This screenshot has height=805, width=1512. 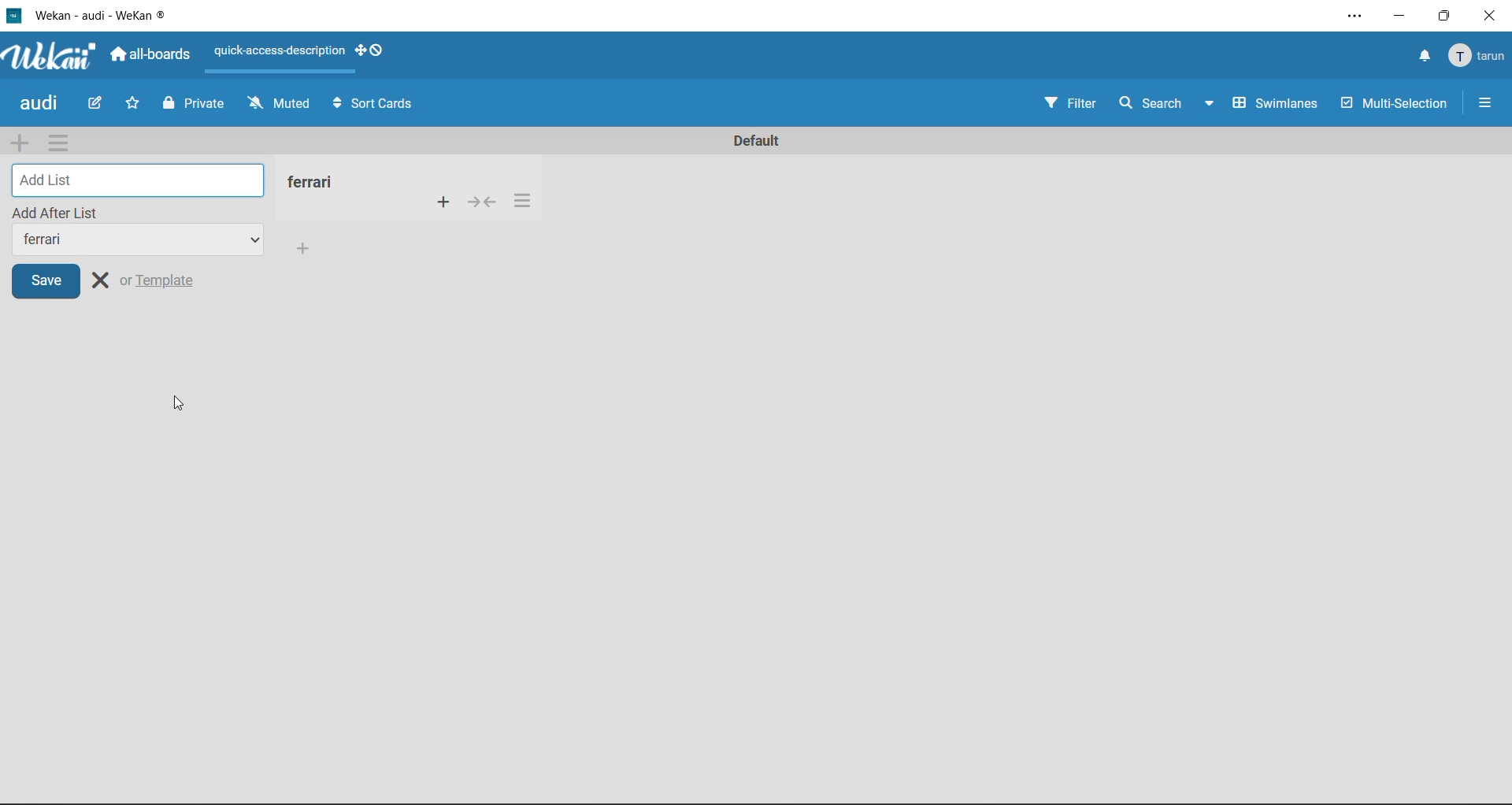 I want to click on minimize, so click(x=1399, y=16).